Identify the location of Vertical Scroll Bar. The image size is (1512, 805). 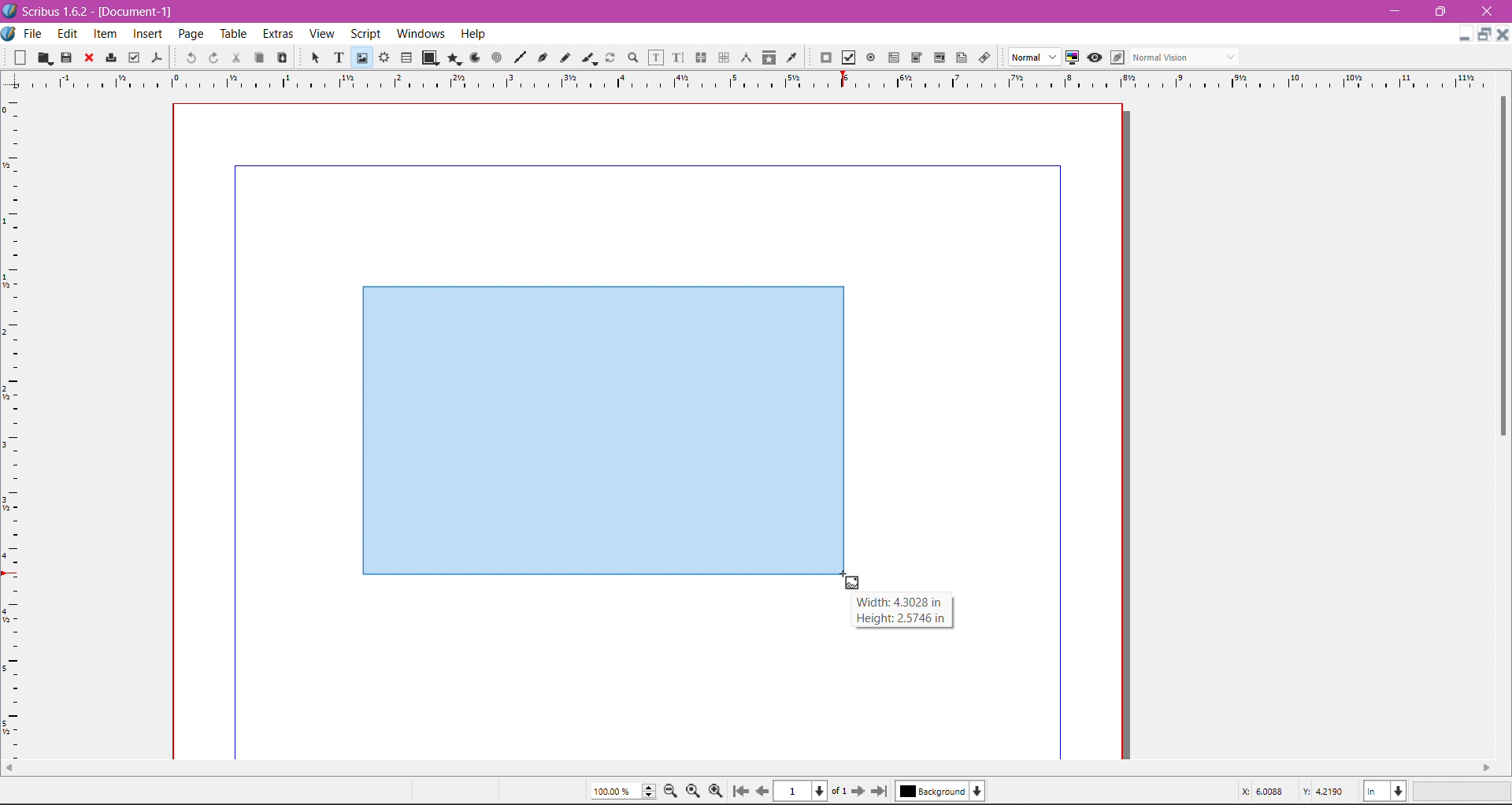
(1499, 265).